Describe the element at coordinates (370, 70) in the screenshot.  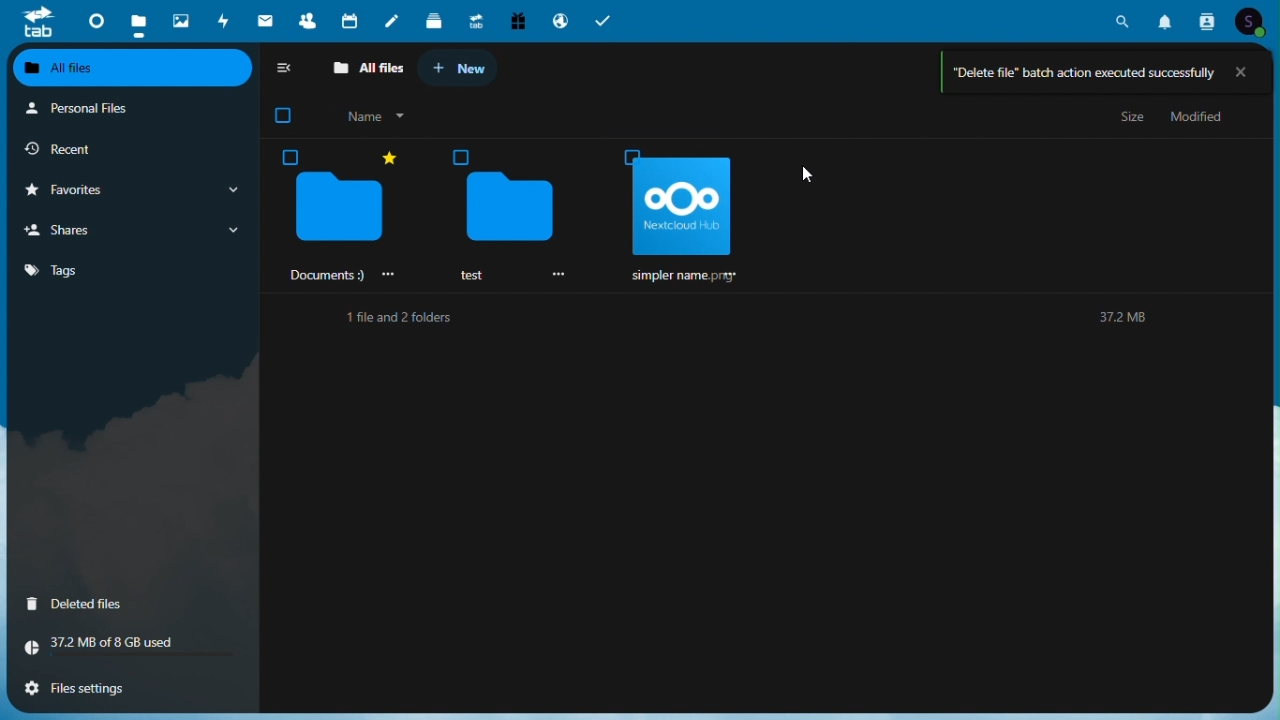
I see `All files` at that location.